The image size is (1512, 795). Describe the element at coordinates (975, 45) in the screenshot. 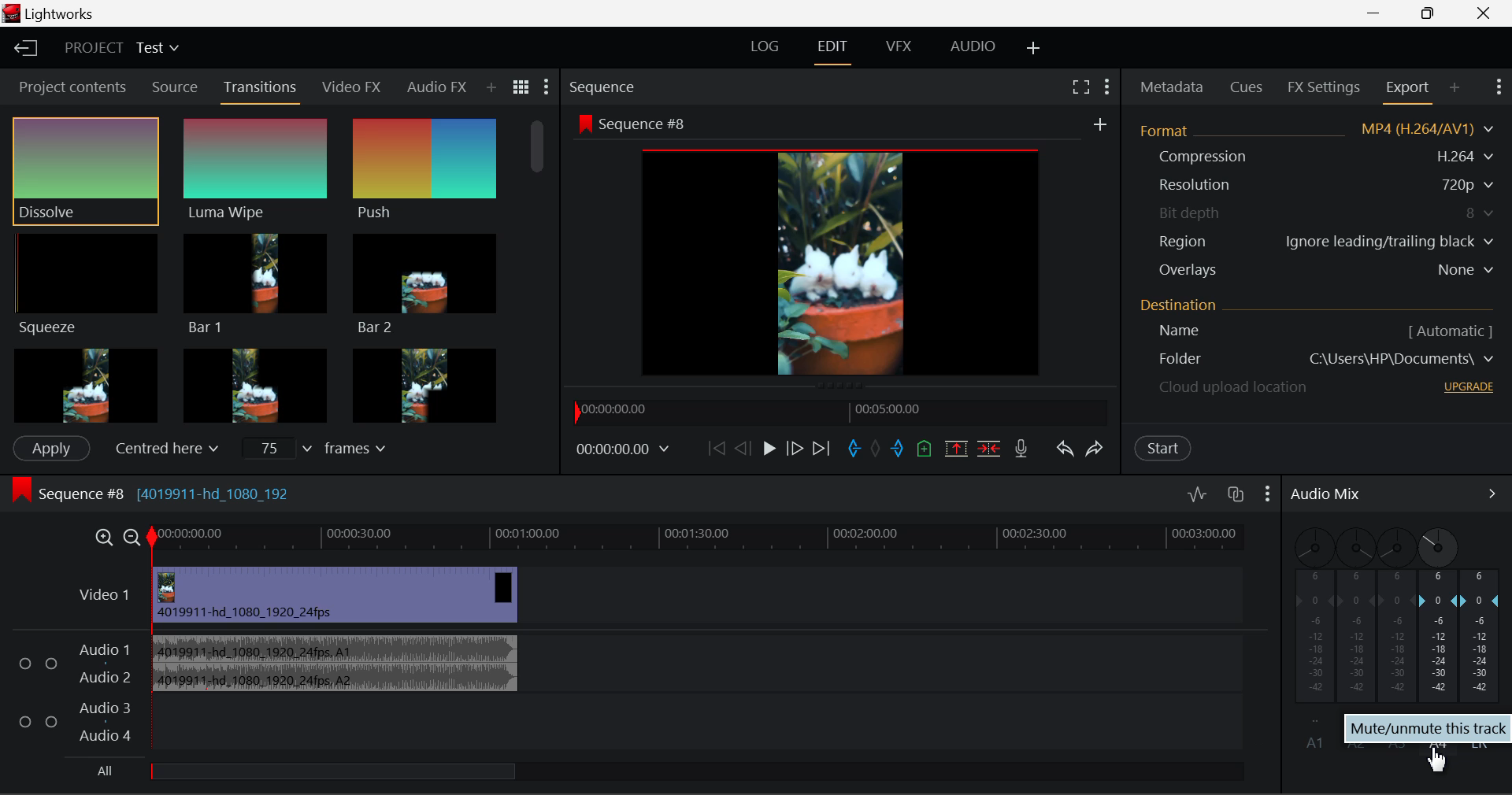

I see `AUDIO Layout` at that location.